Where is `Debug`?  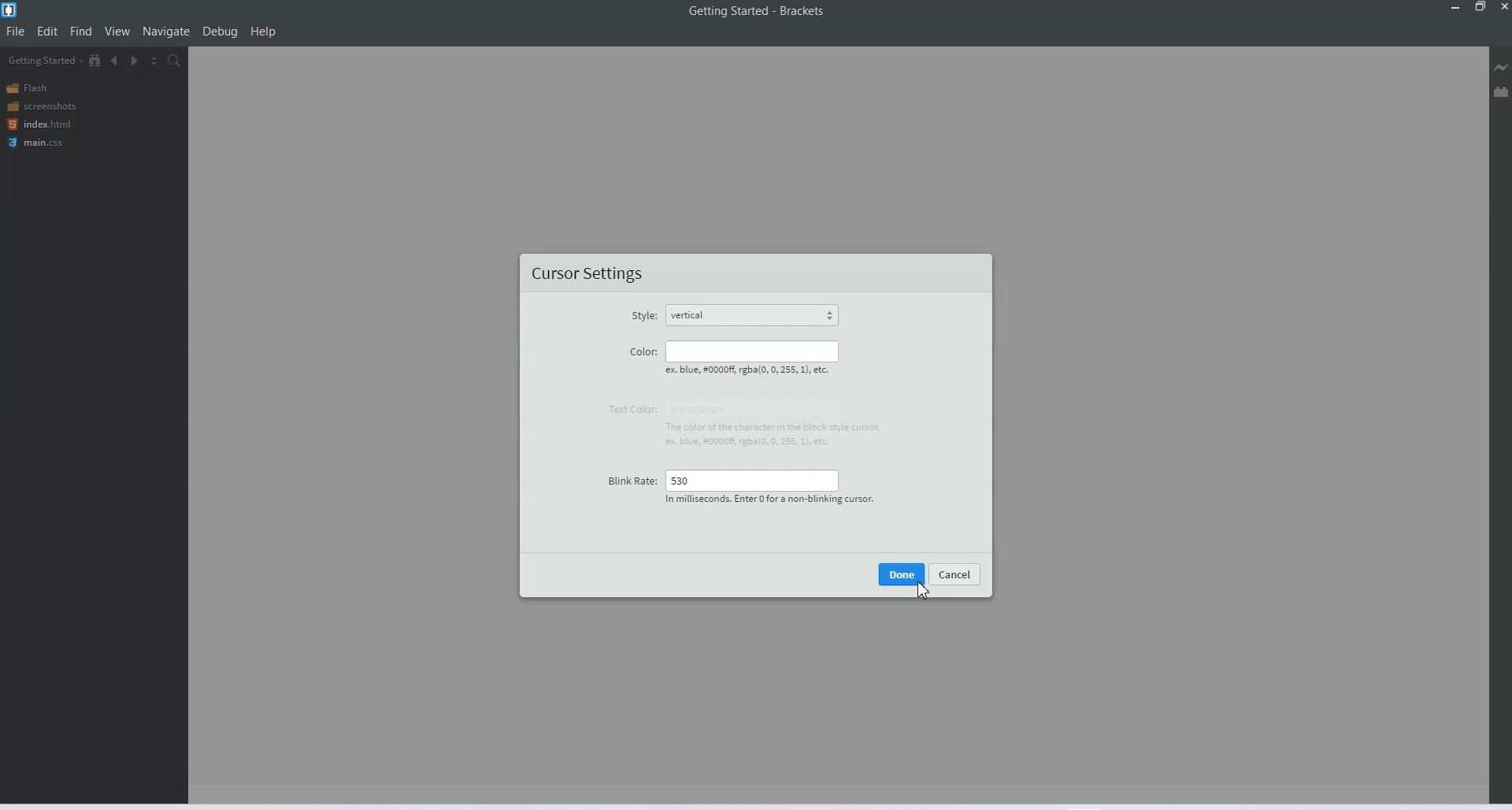 Debug is located at coordinates (220, 32).